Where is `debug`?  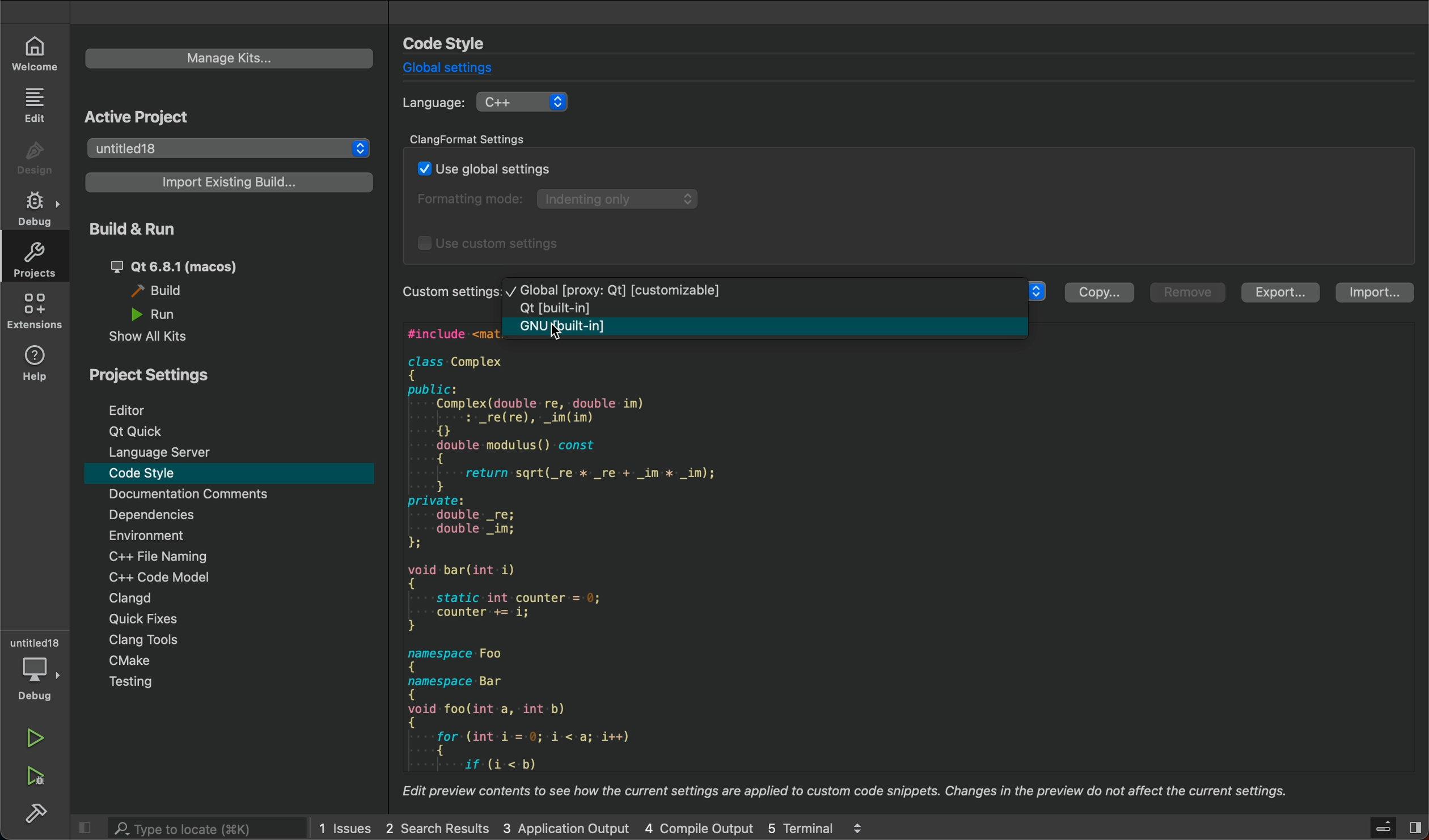
debug is located at coordinates (35, 209).